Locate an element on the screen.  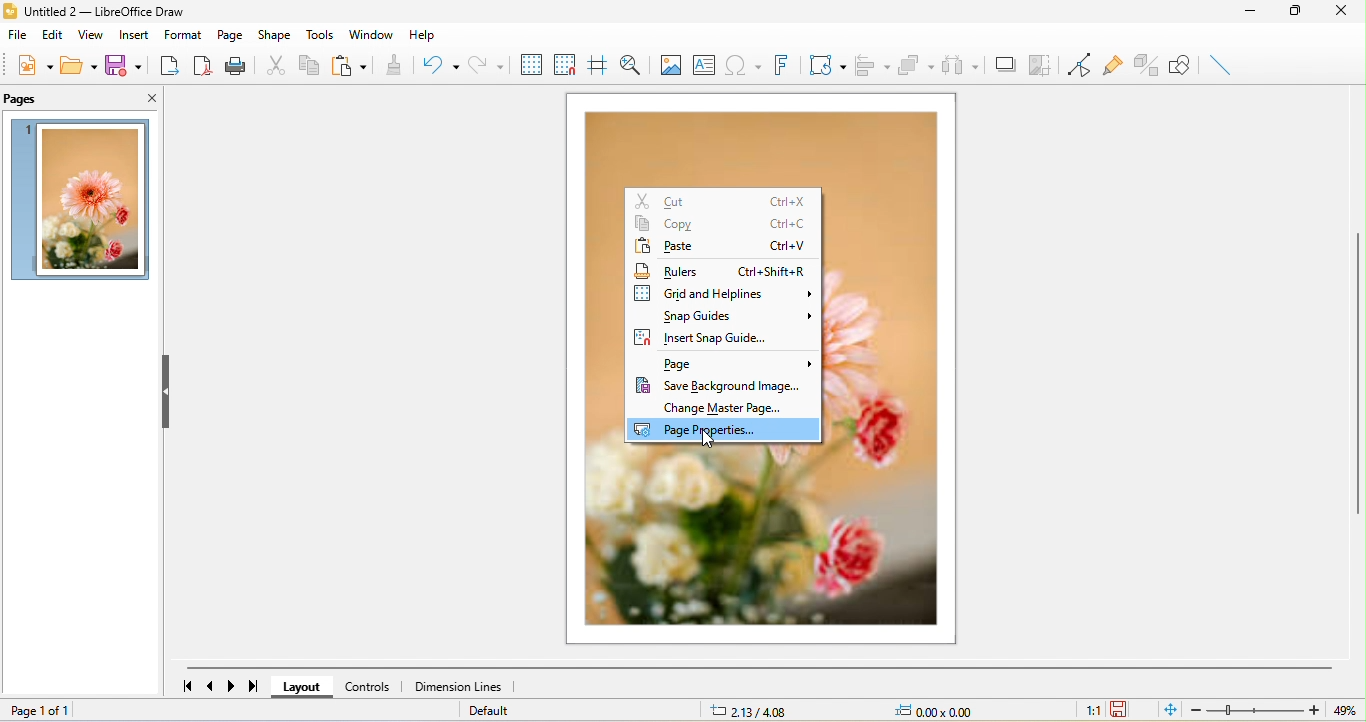
export is located at coordinates (165, 63).